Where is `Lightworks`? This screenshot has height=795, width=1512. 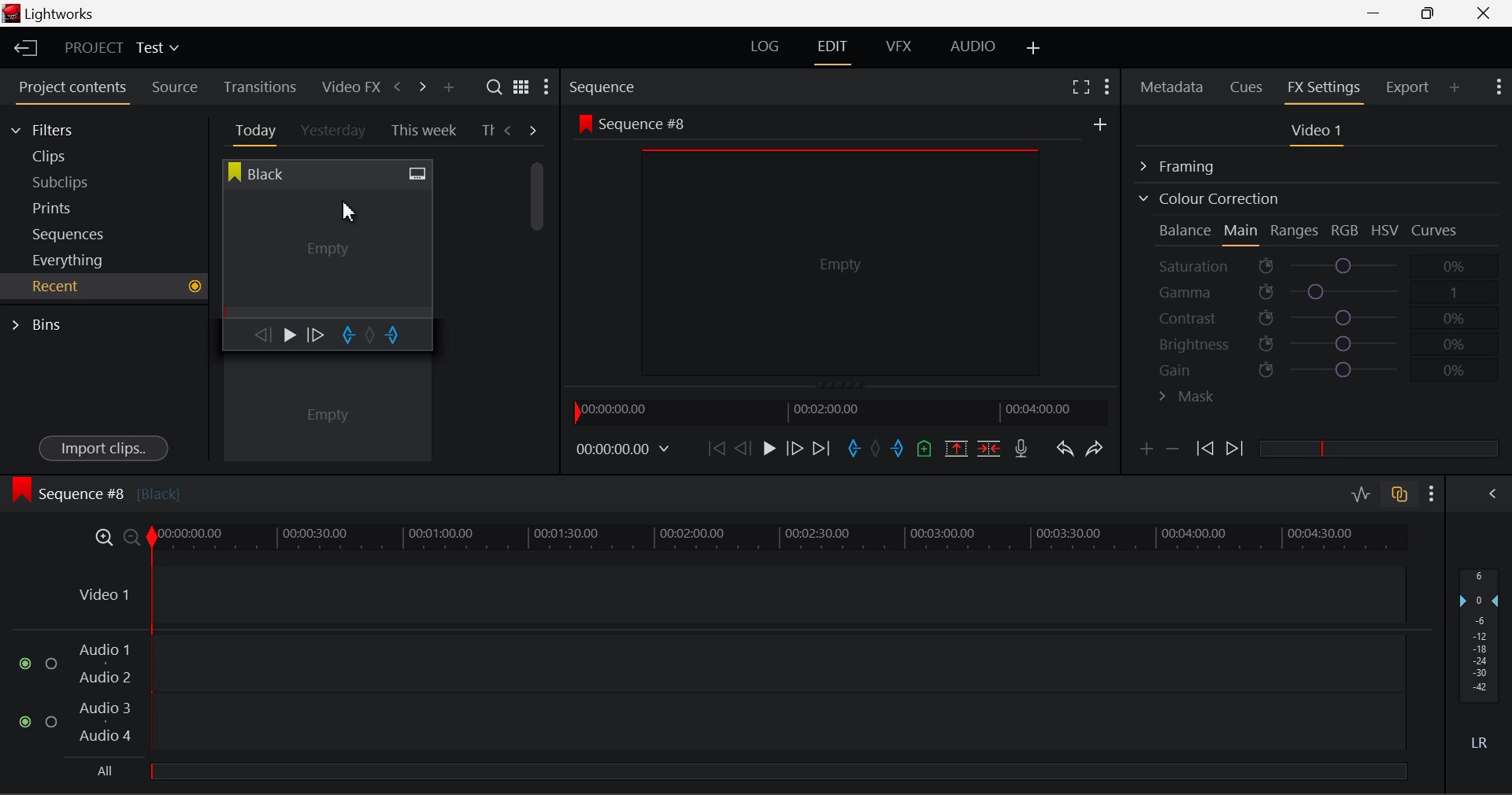 Lightworks is located at coordinates (49, 15).